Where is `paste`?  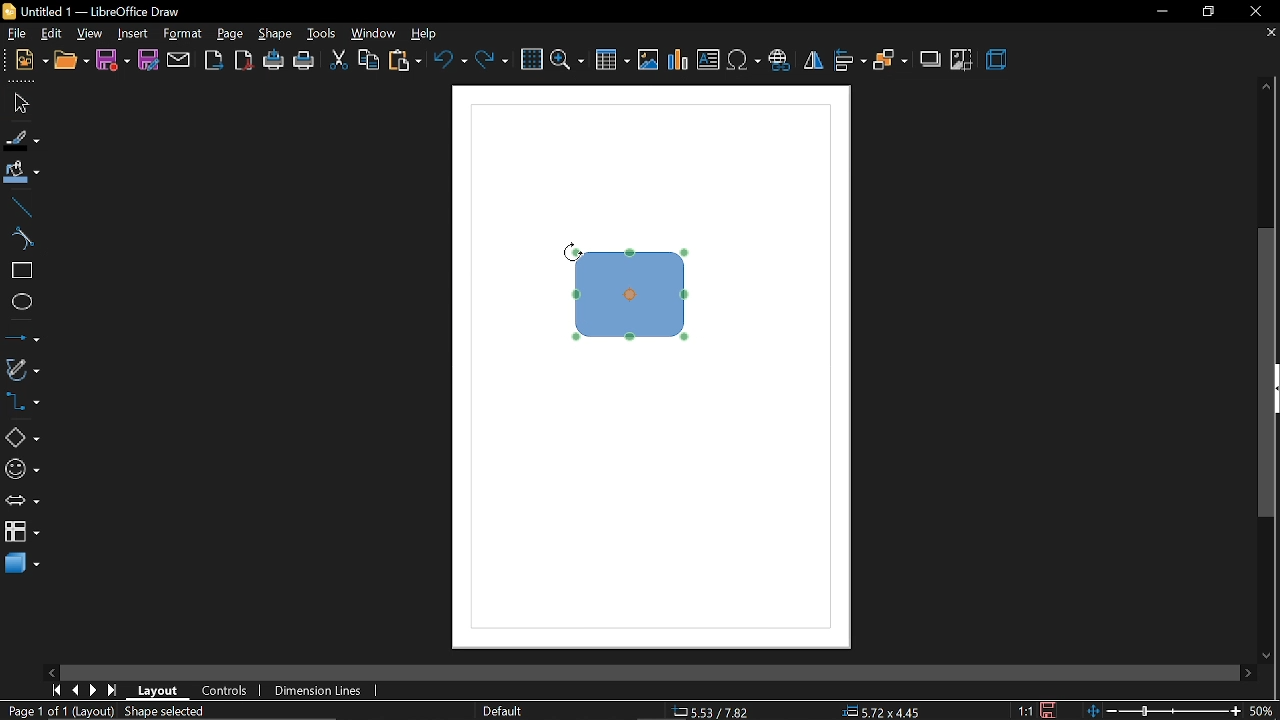
paste is located at coordinates (404, 62).